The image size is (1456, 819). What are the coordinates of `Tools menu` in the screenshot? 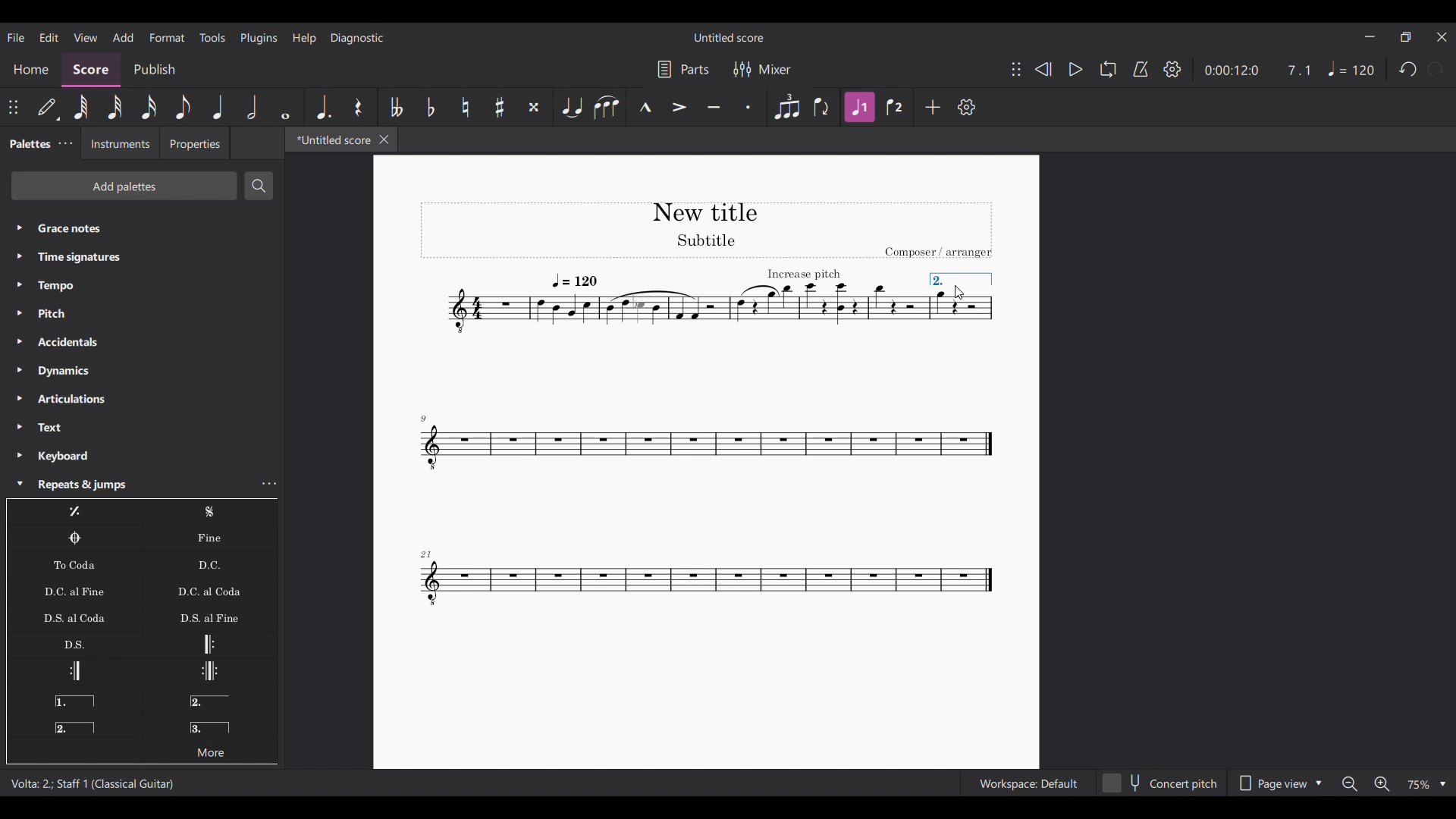 It's located at (212, 38).